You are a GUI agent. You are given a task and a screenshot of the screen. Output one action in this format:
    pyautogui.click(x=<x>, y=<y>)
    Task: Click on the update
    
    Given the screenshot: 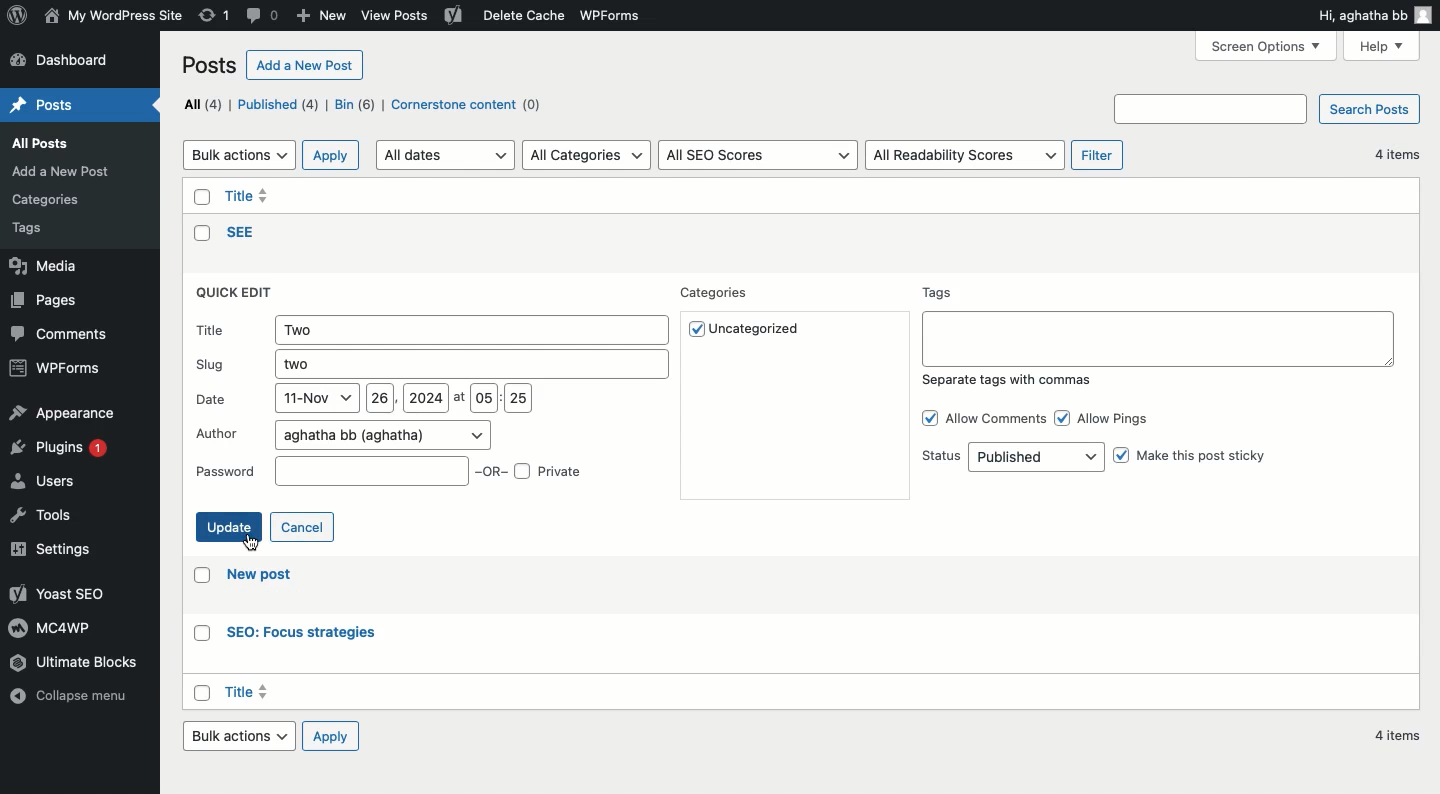 What is the action you would take?
    pyautogui.click(x=227, y=525)
    